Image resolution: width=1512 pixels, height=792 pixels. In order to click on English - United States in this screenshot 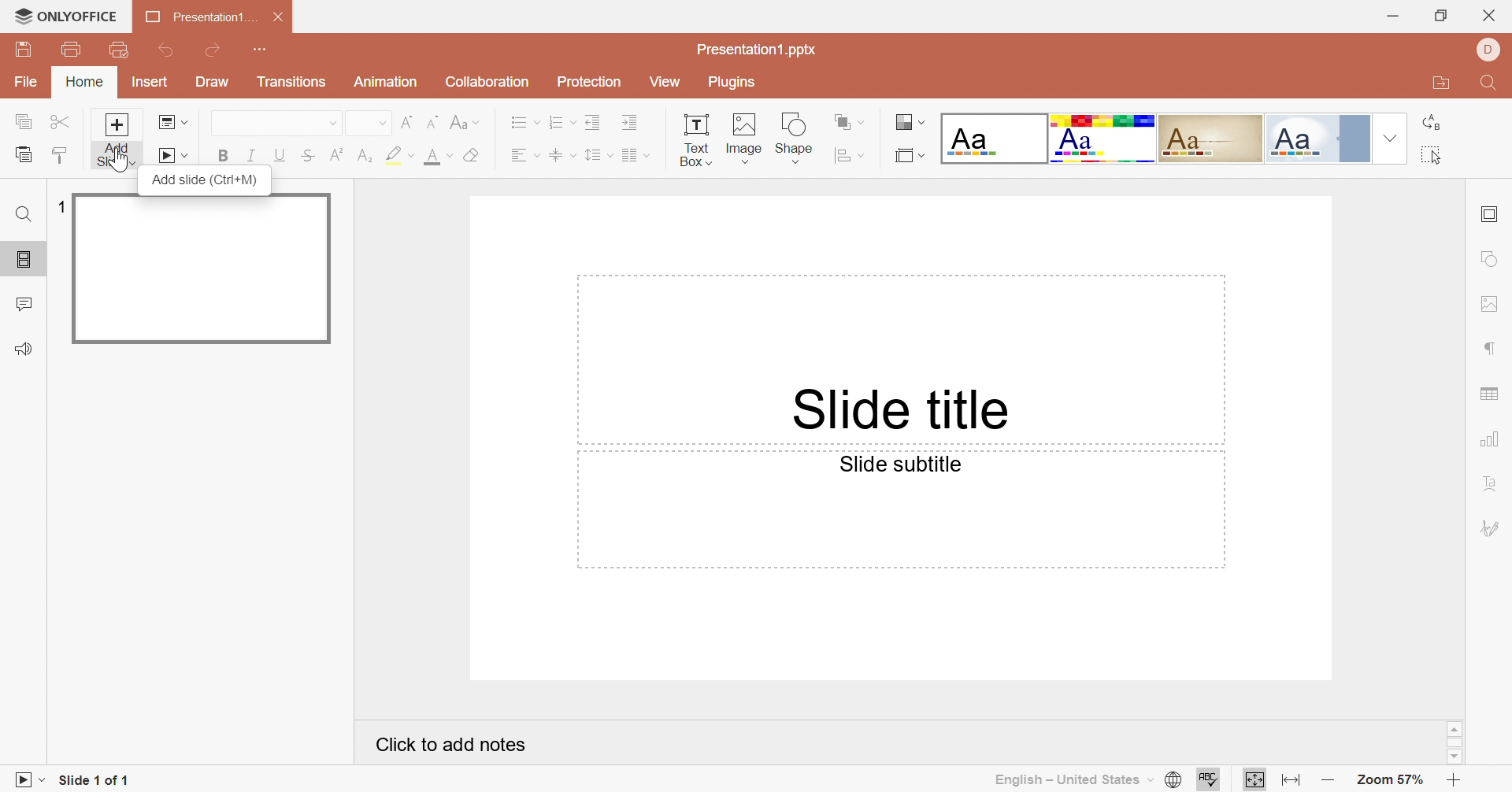, I will do `click(1075, 780)`.